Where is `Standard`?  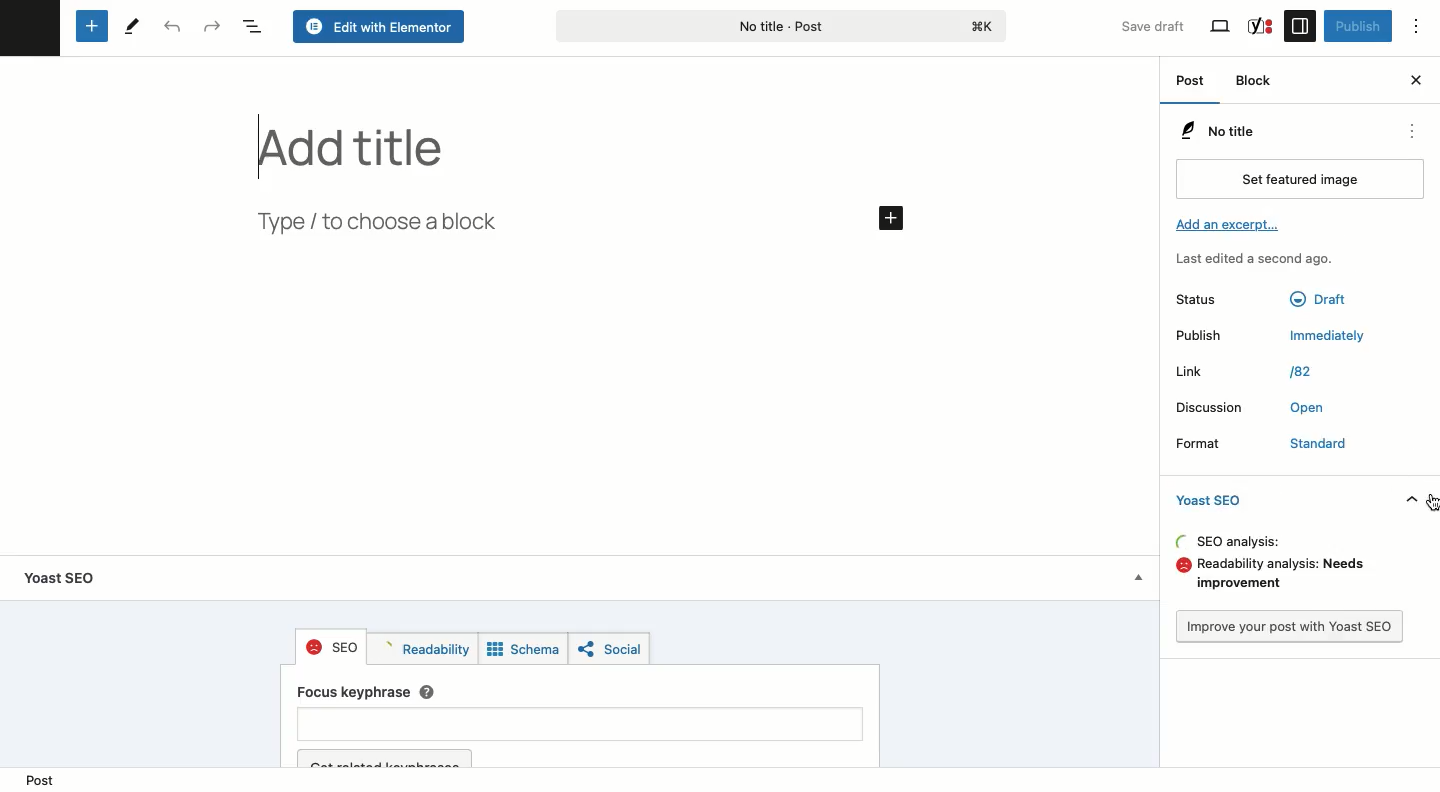 Standard is located at coordinates (1310, 445).